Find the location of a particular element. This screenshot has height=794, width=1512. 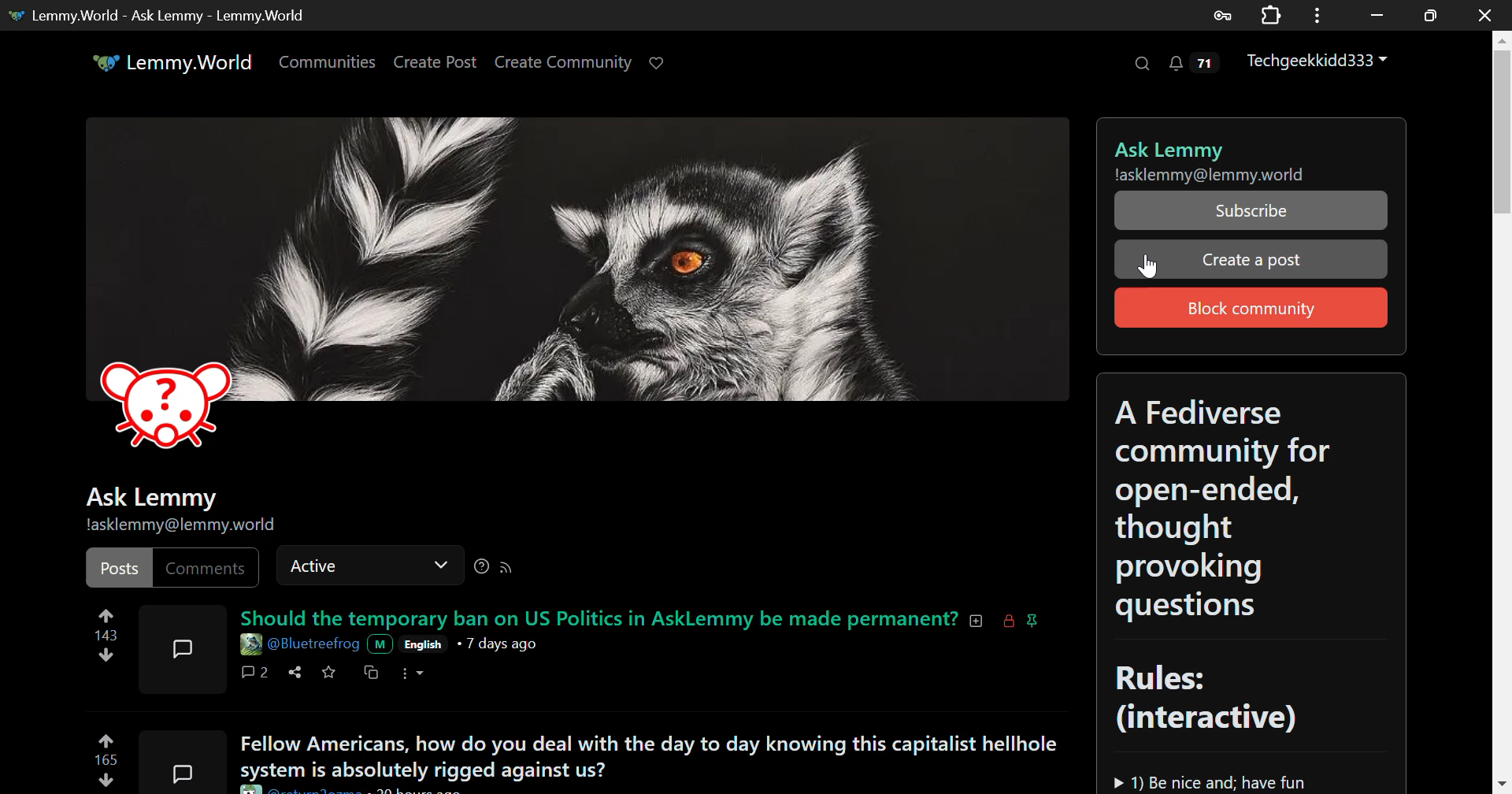

7 days ago is located at coordinates (499, 643).